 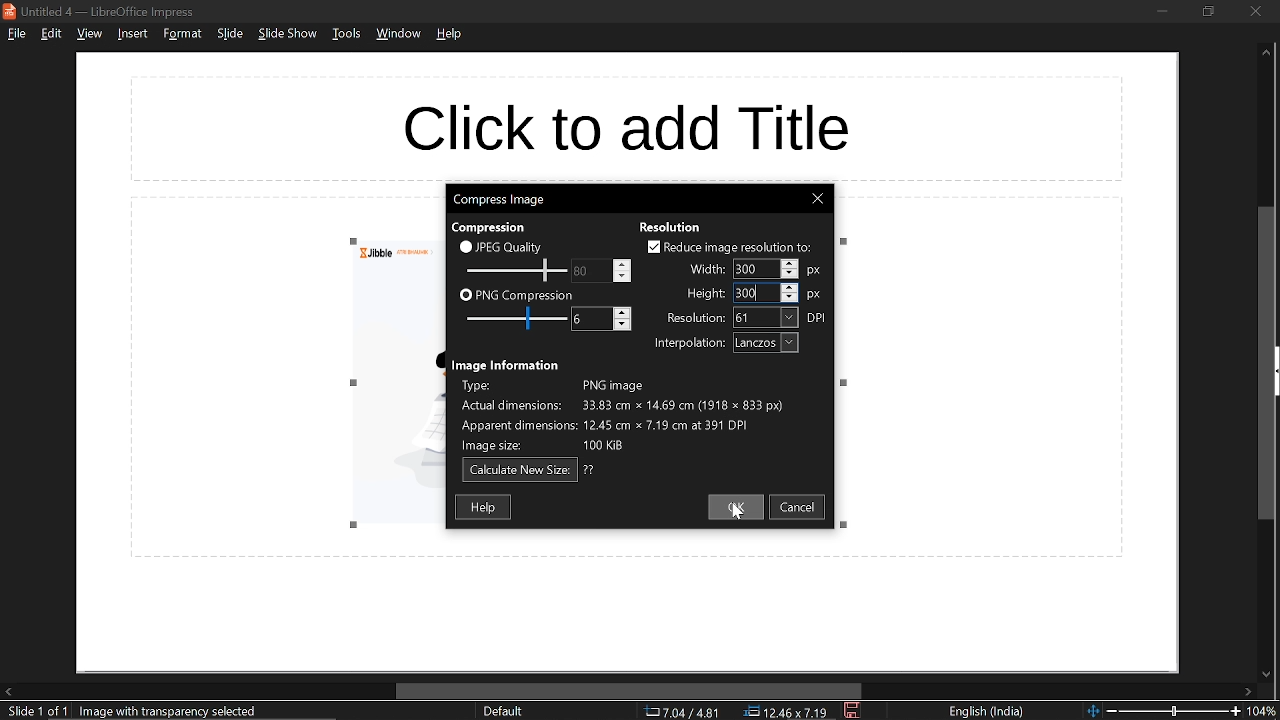 What do you see at coordinates (651, 246) in the screenshot?
I see `checkbox` at bounding box center [651, 246].